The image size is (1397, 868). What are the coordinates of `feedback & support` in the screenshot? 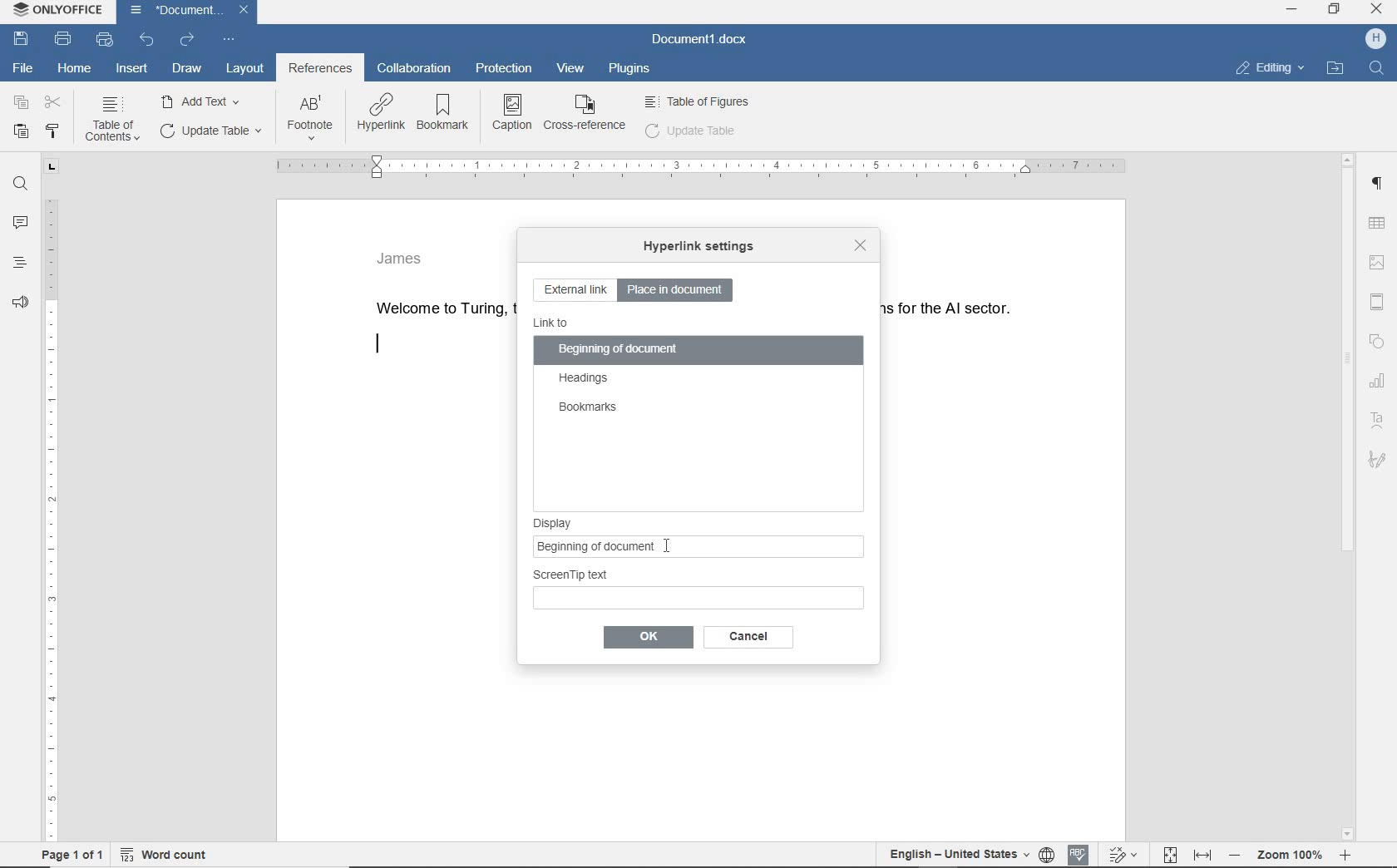 It's located at (18, 306).